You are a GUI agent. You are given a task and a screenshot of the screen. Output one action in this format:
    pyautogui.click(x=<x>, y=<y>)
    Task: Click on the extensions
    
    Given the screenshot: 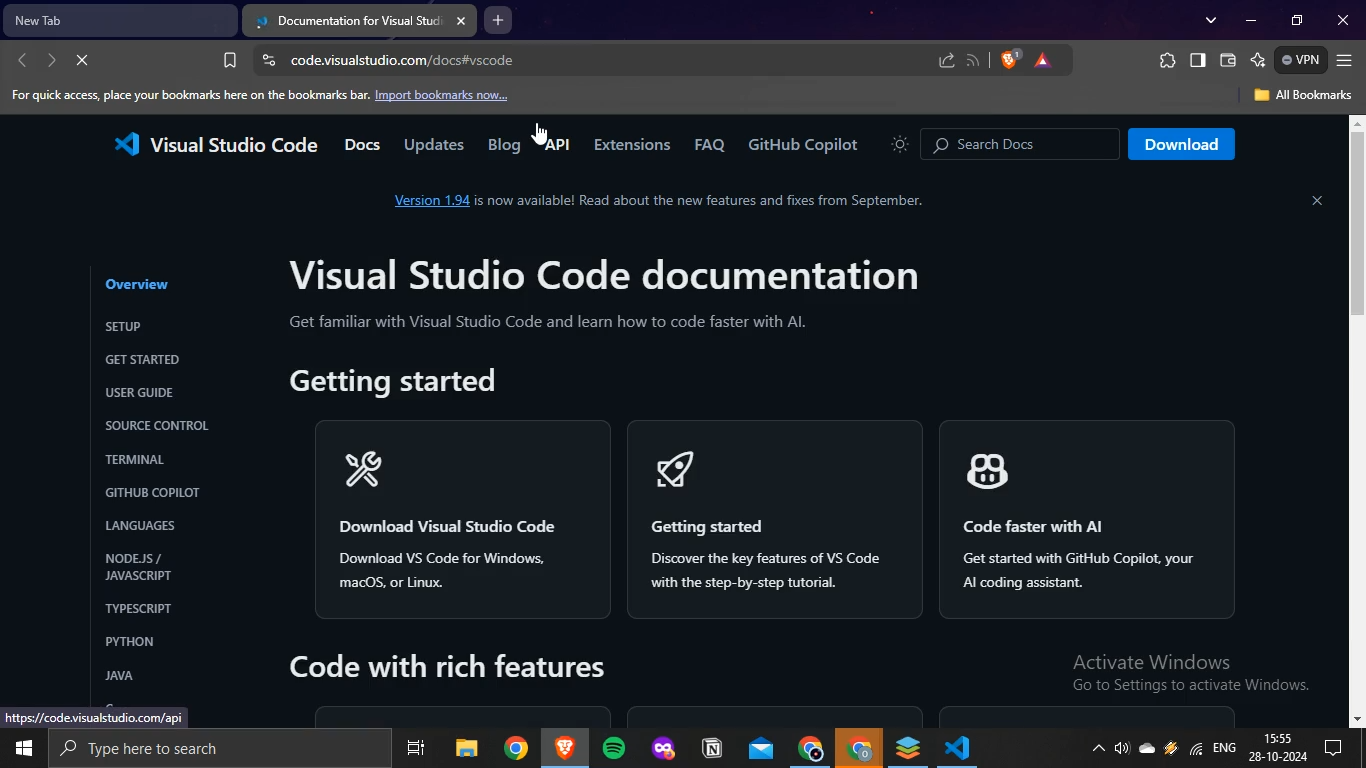 What is the action you would take?
    pyautogui.click(x=1165, y=62)
    